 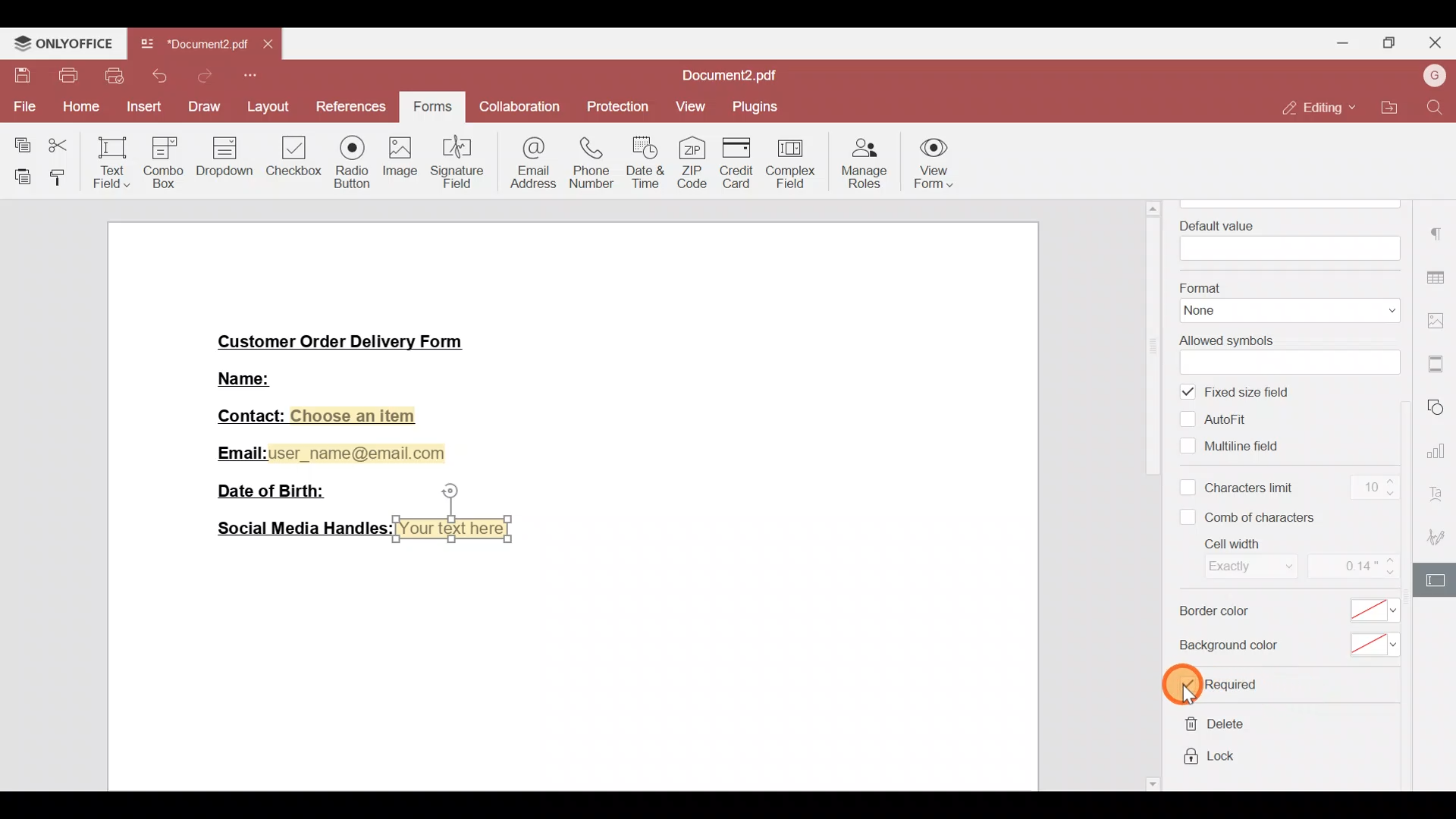 What do you see at coordinates (614, 108) in the screenshot?
I see `Protection` at bounding box center [614, 108].